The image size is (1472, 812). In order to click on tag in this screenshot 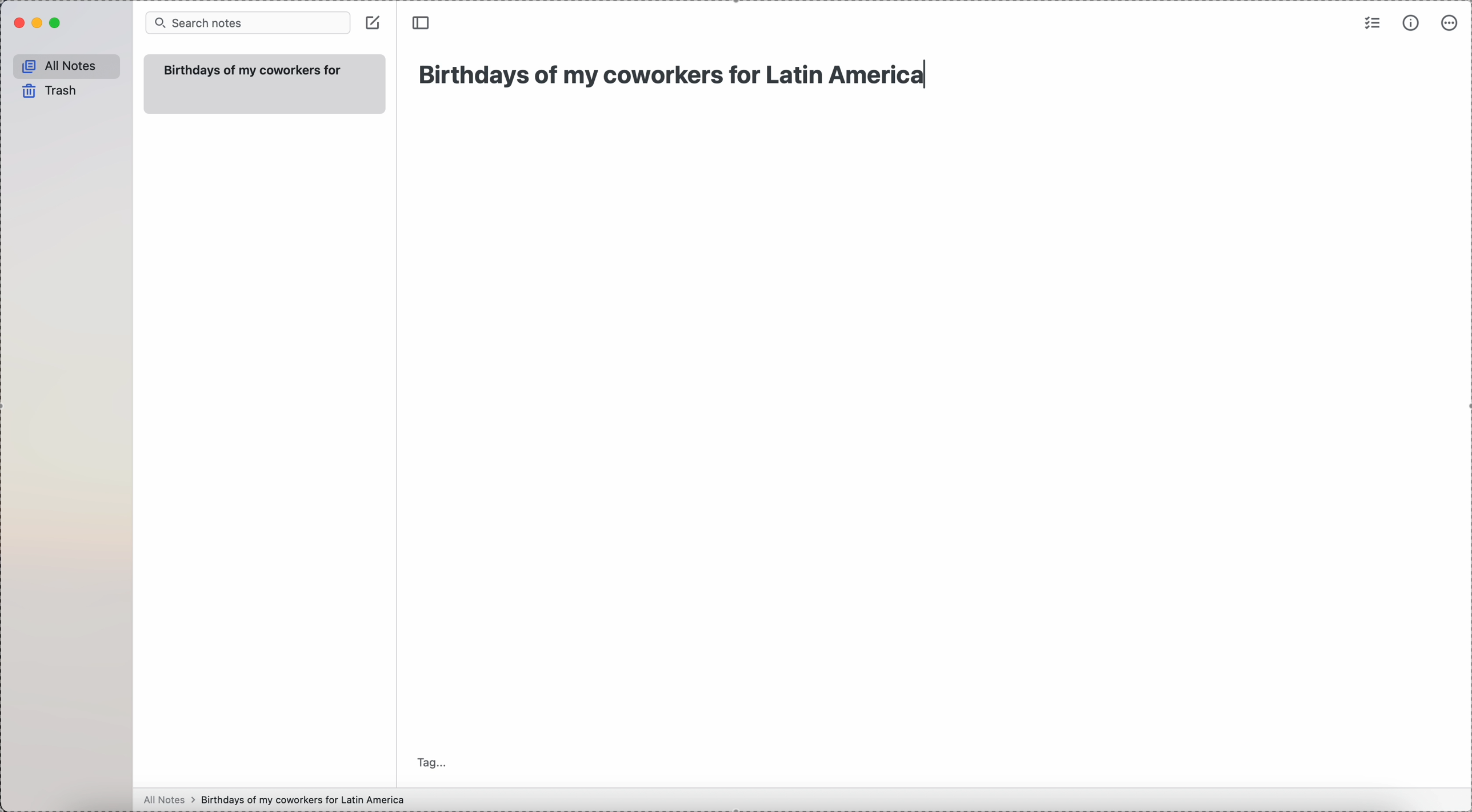, I will do `click(433, 762)`.